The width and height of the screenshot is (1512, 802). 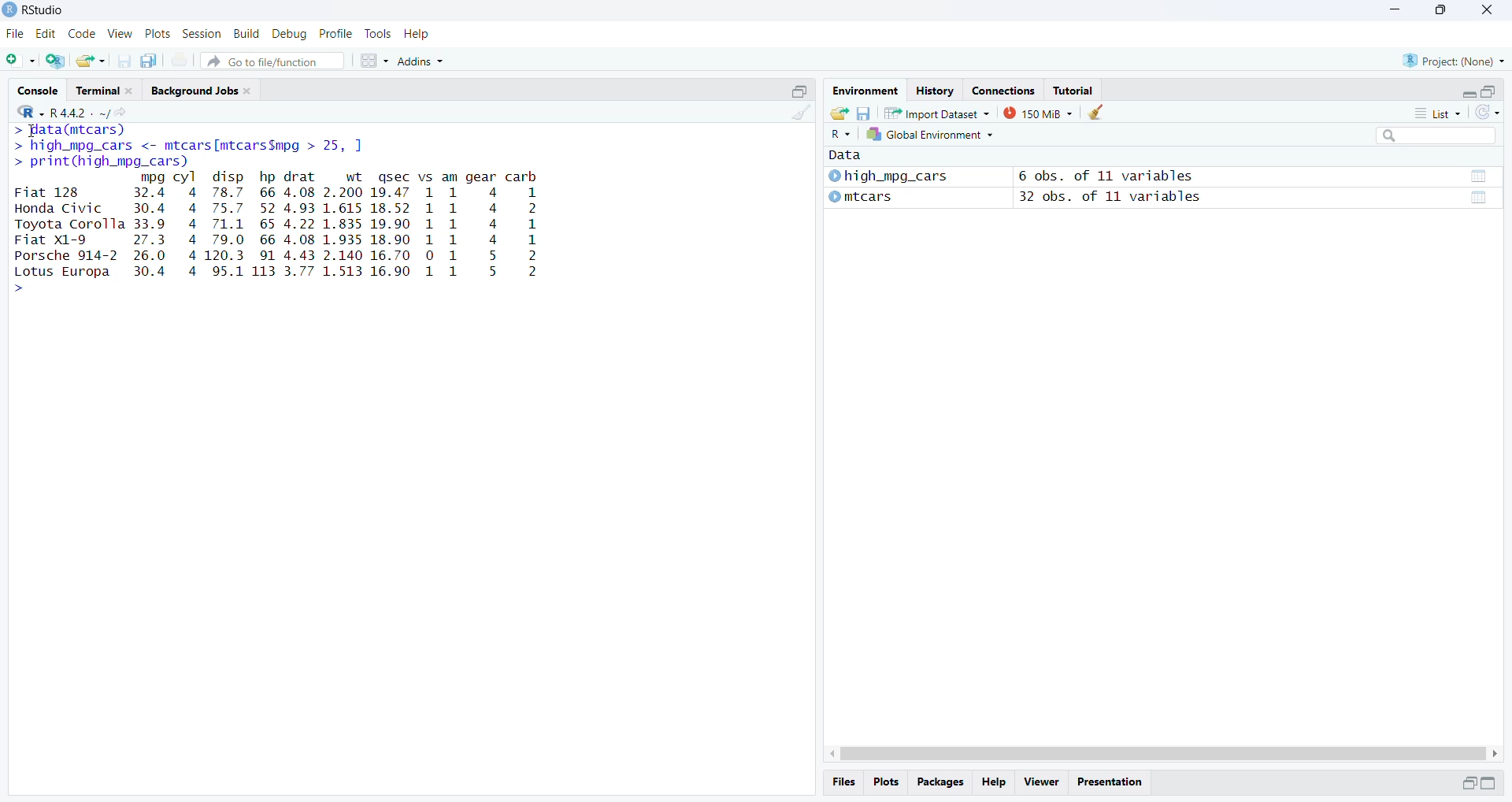 What do you see at coordinates (21, 61) in the screenshot?
I see `new file` at bounding box center [21, 61].